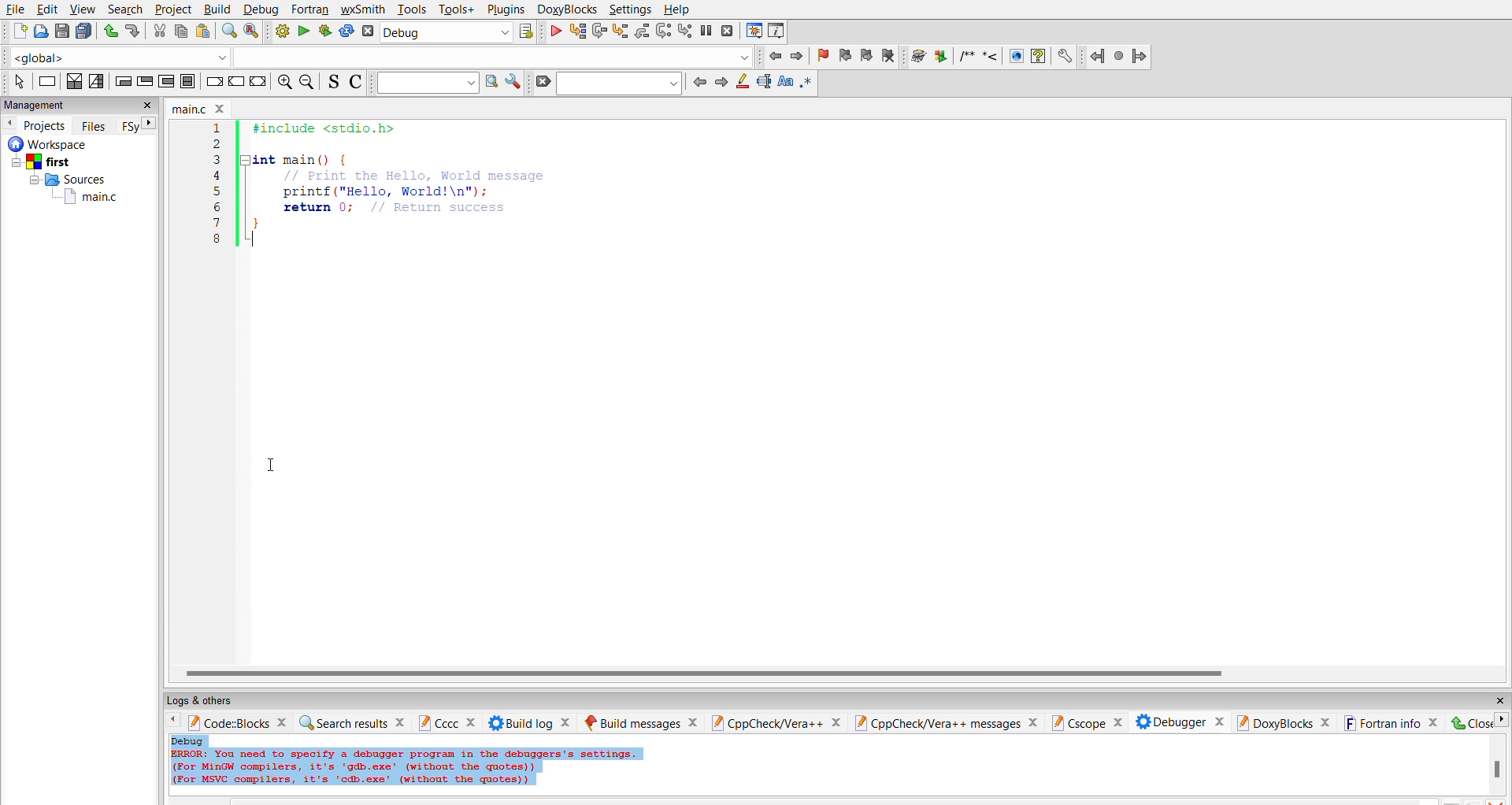 This screenshot has height=805, width=1512. I want to click on jump forward, so click(1141, 57).